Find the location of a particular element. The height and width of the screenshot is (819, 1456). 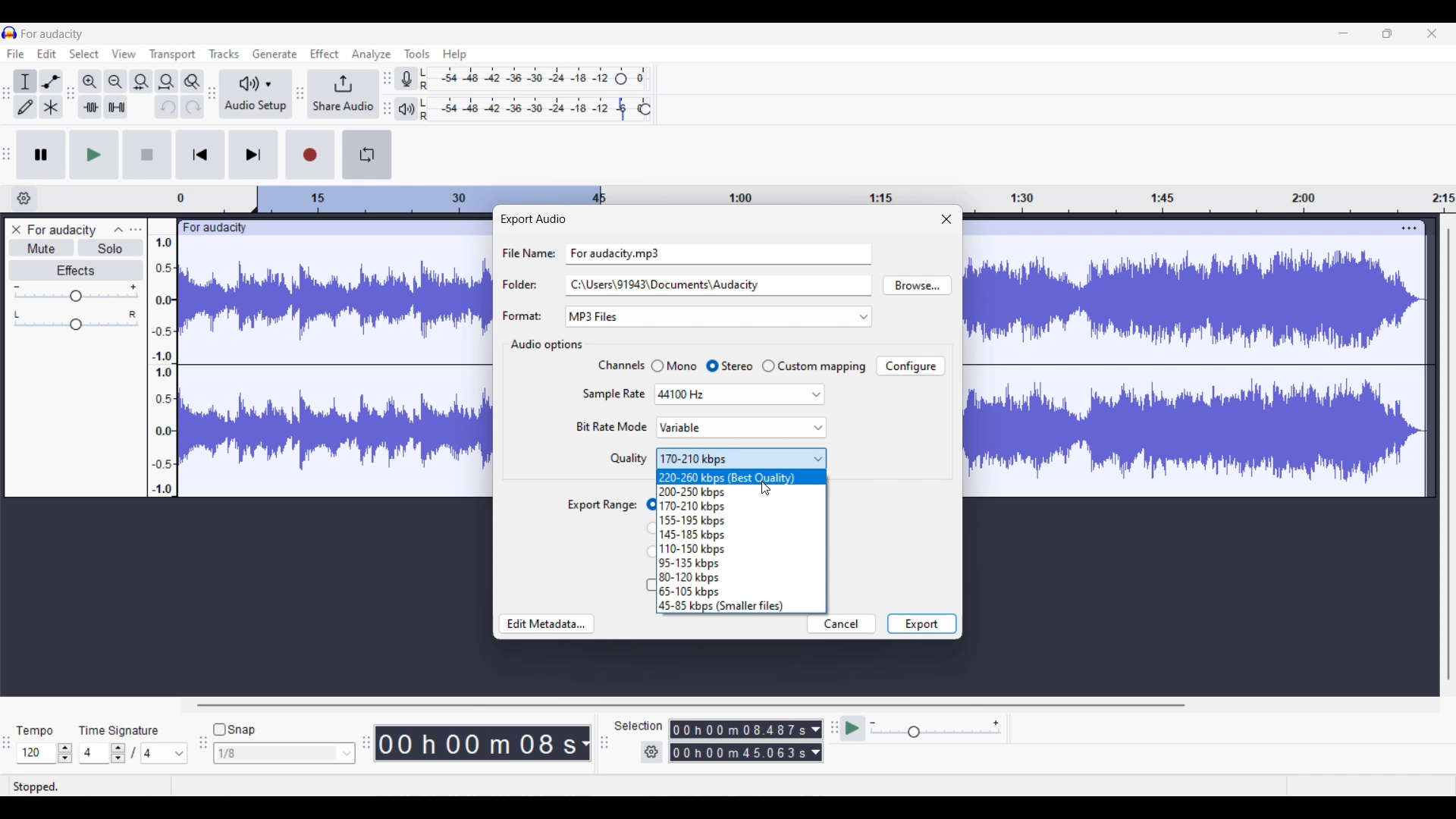

Header to change recording level is located at coordinates (621, 79).